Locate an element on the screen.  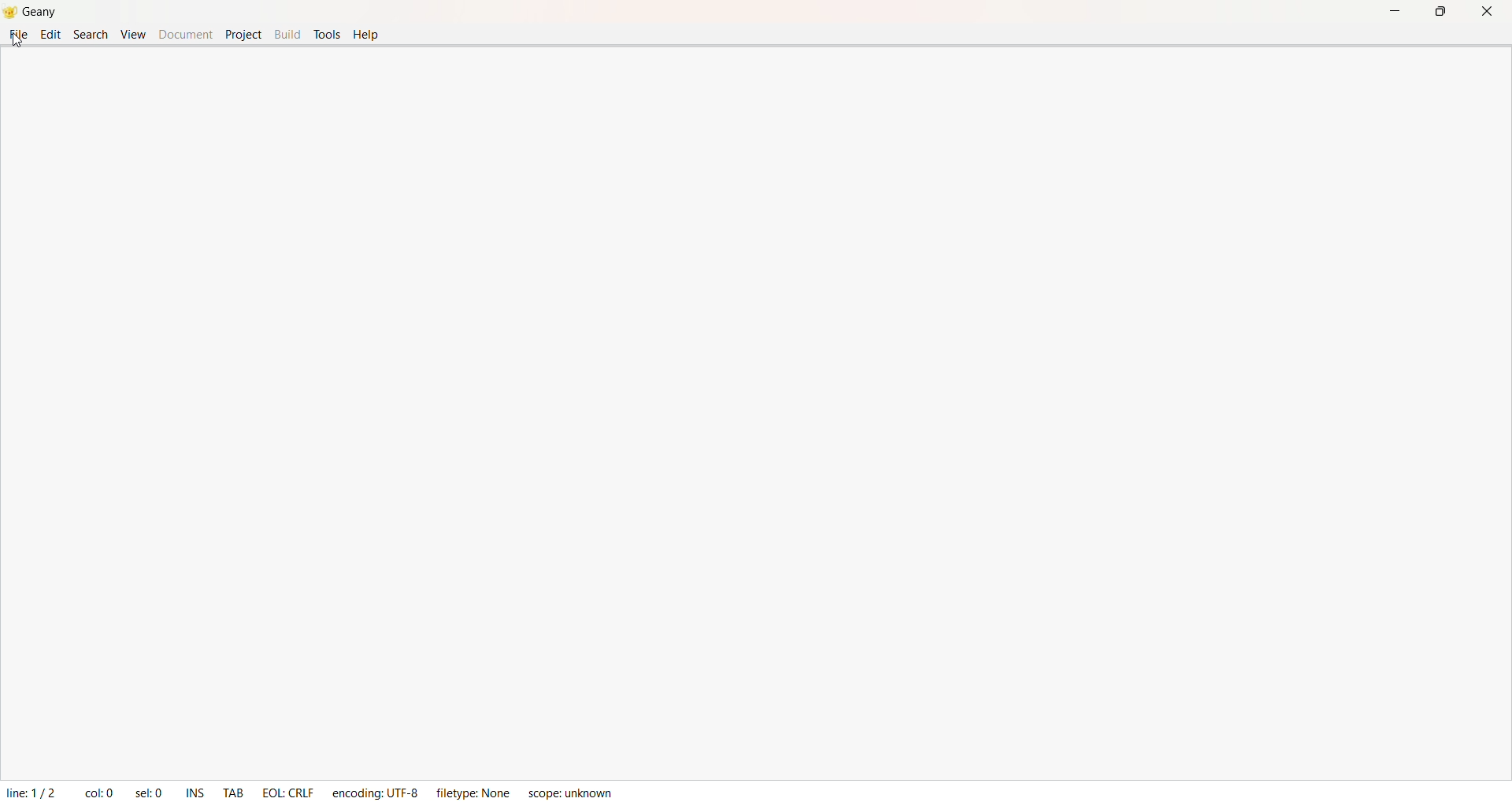
Document is located at coordinates (186, 36).